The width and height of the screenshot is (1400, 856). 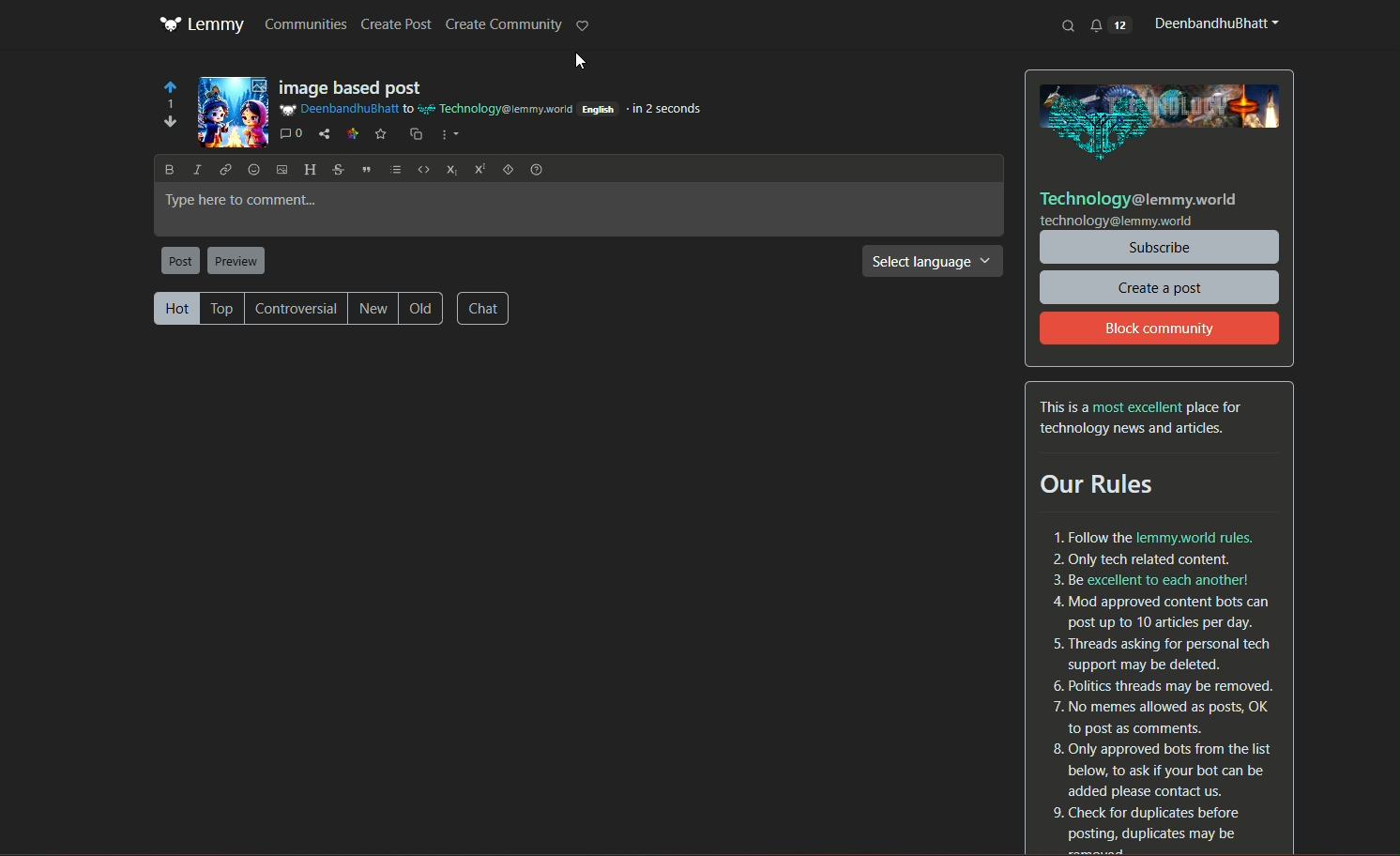 What do you see at coordinates (279, 168) in the screenshot?
I see `upload image` at bounding box center [279, 168].